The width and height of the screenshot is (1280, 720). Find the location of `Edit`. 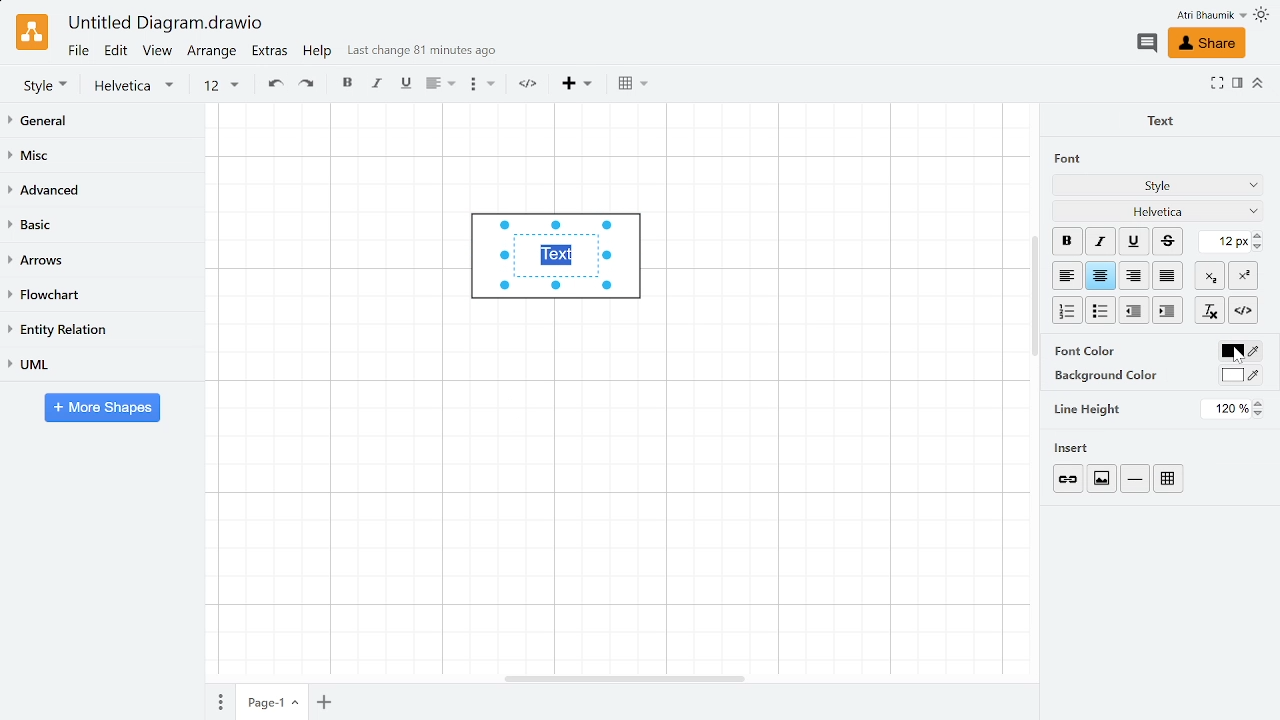

Edit is located at coordinates (116, 51).